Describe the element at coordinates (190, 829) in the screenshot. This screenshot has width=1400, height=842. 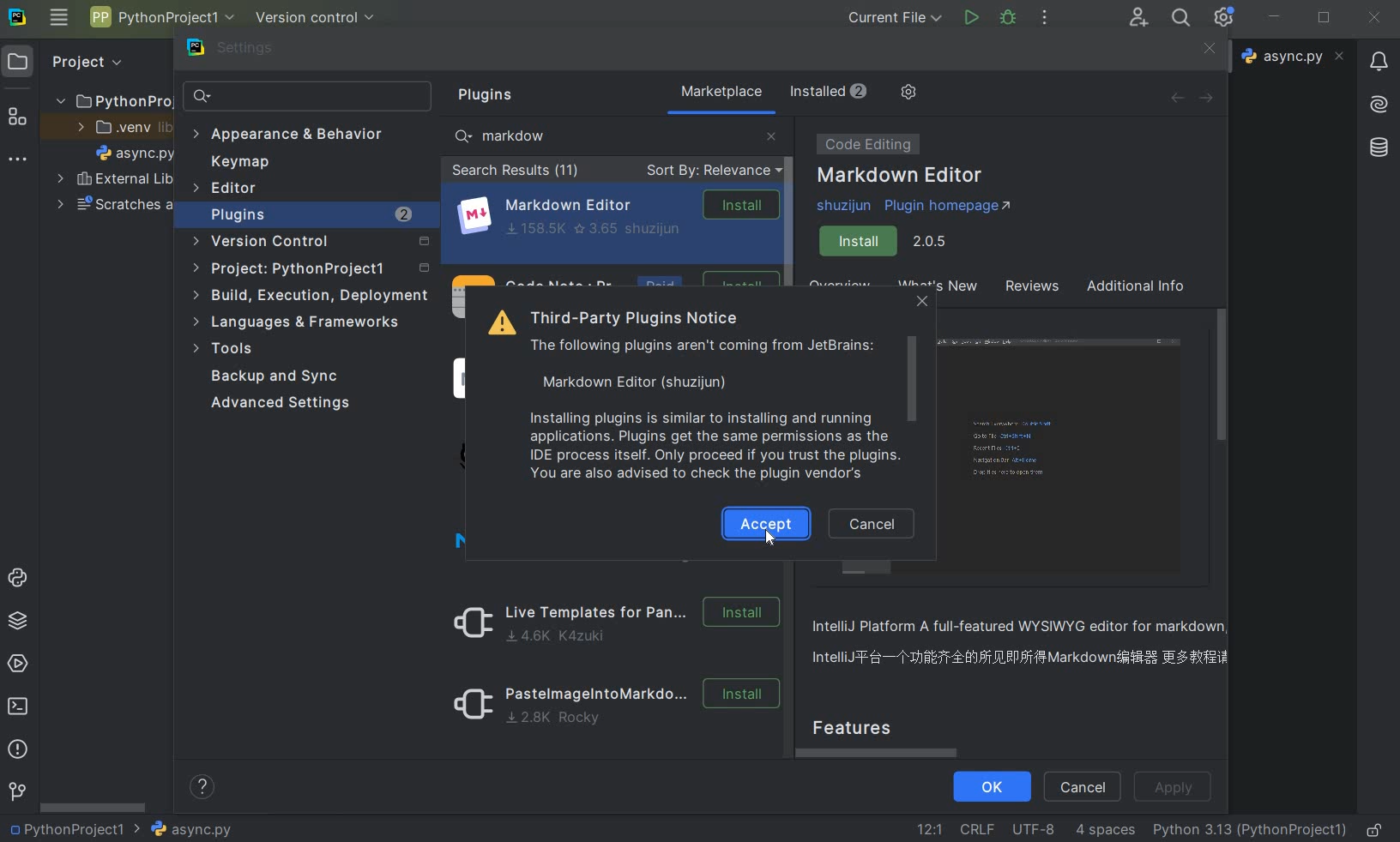
I see `file name` at that location.